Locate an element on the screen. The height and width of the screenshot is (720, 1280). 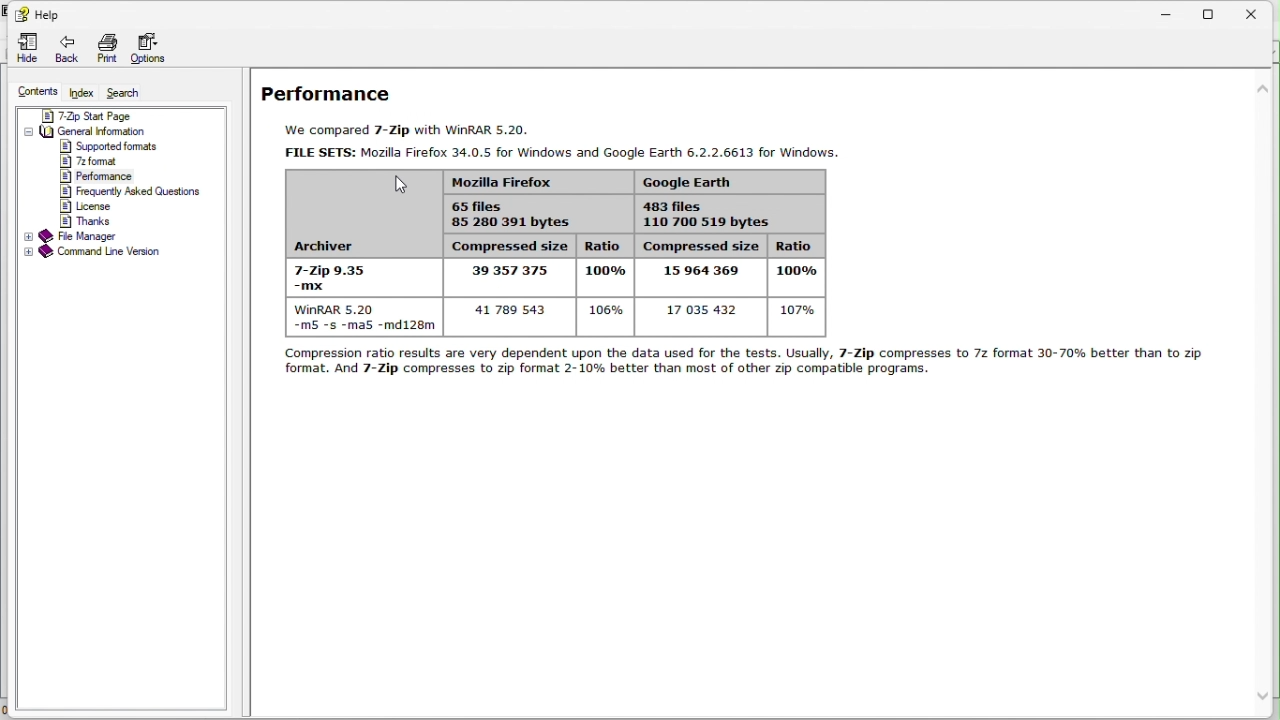
Options is located at coordinates (148, 47).